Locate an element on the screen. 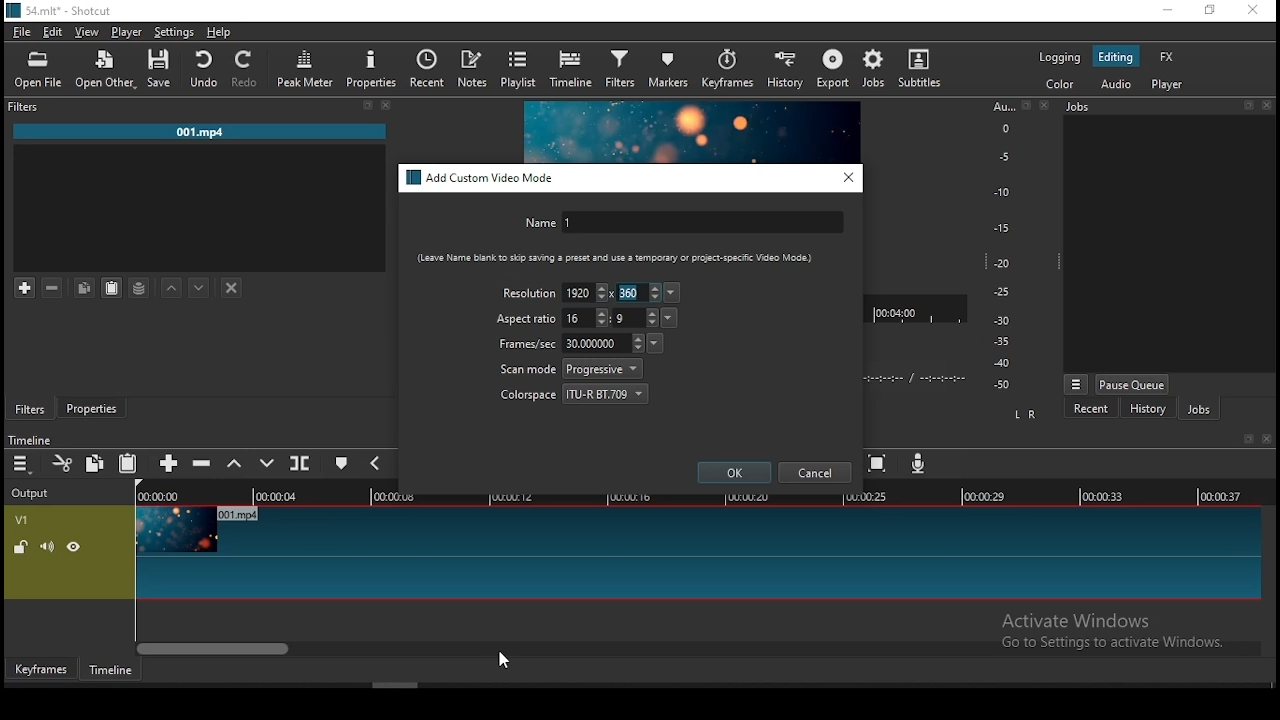  markers is located at coordinates (670, 67).